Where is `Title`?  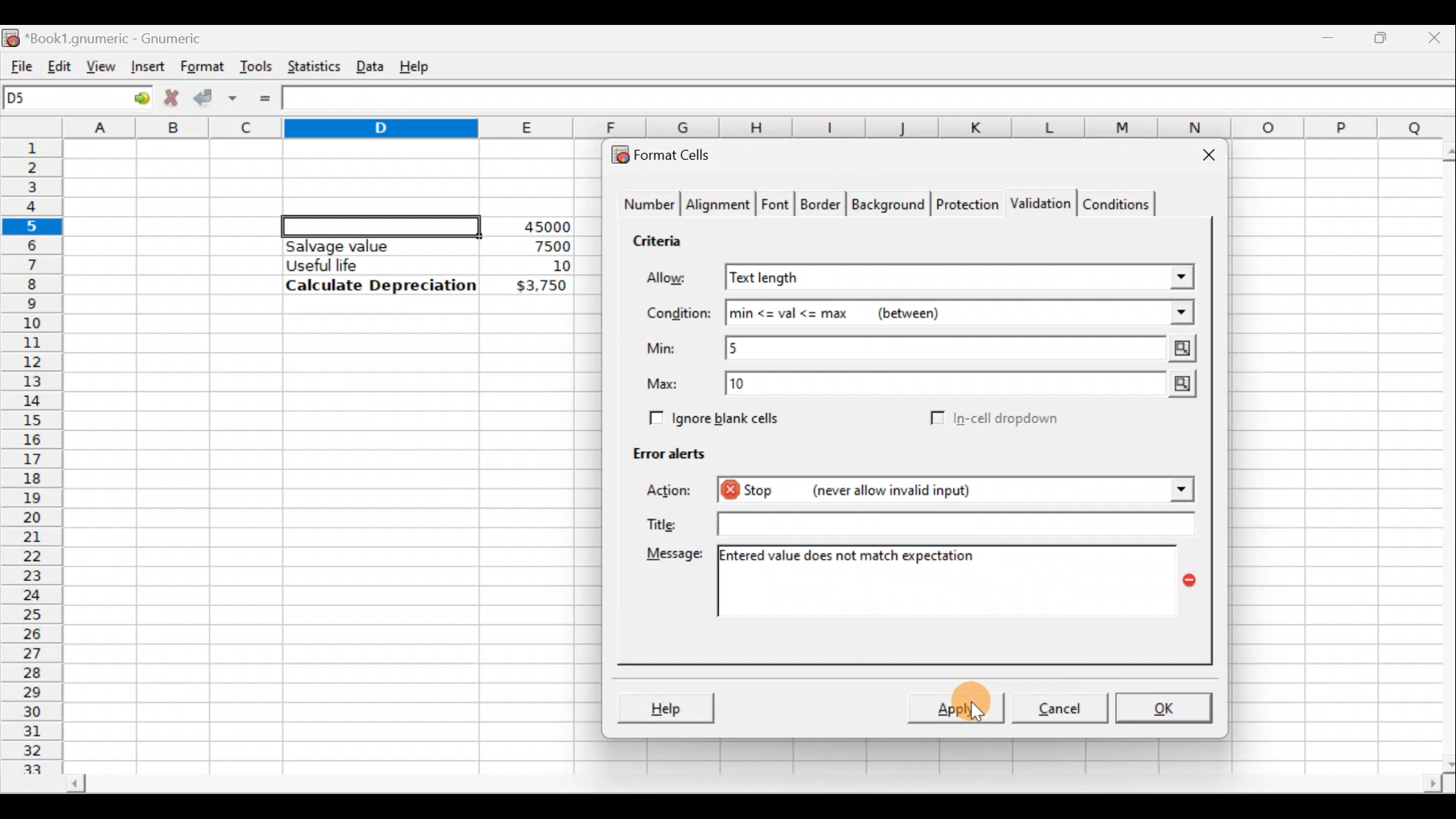
Title is located at coordinates (659, 521).